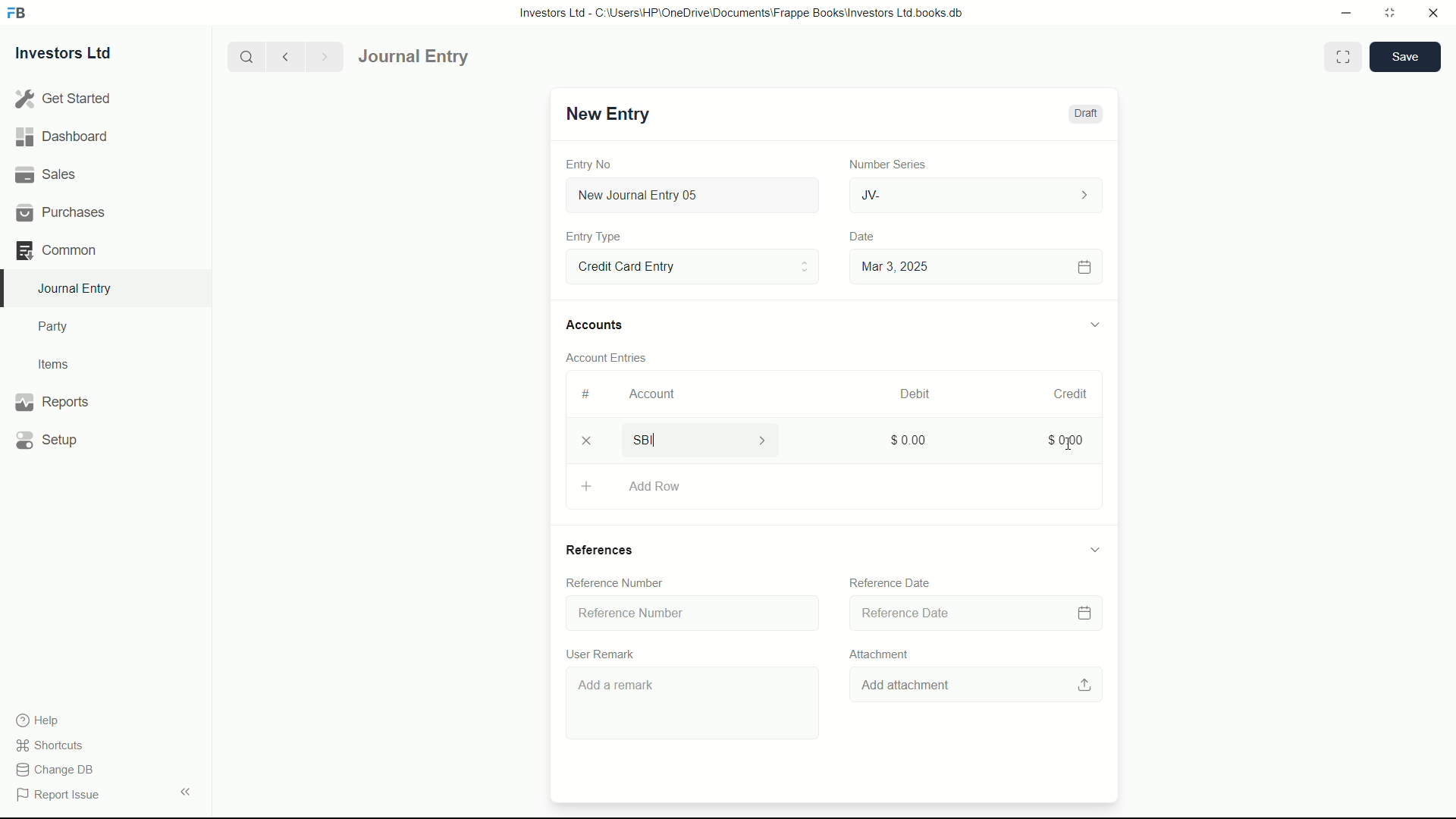 The height and width of the screenshot is (819, 1456). Describe the element at coordinates (52, 400) in the screenshot. I see `Reports .` at that location.